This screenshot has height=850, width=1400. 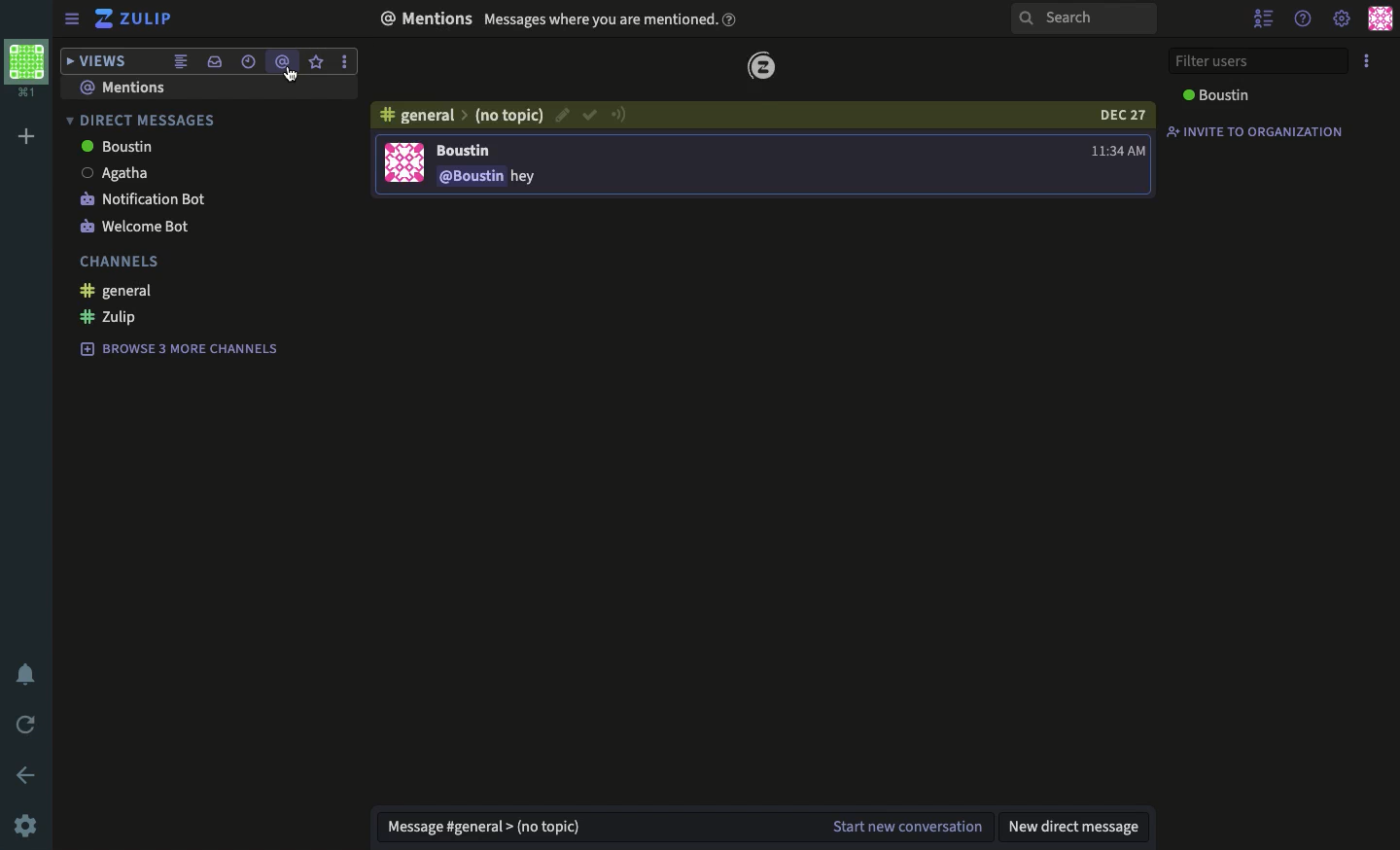 What do you see at coordinates (564, 20) in the screenshot?
I see `mentions` at bounding box center [564, 20].